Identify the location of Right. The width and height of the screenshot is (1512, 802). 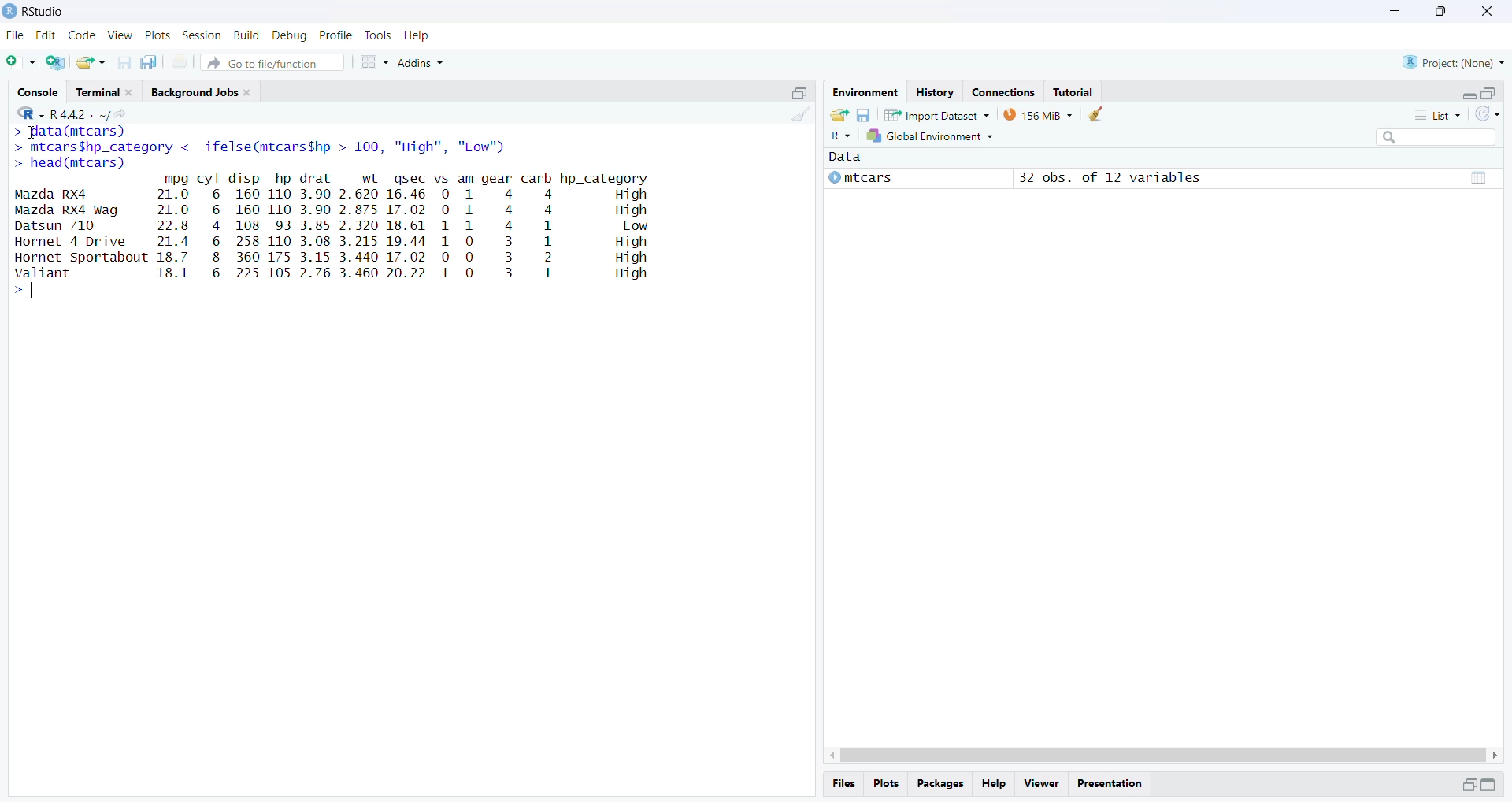
(1497, 754).